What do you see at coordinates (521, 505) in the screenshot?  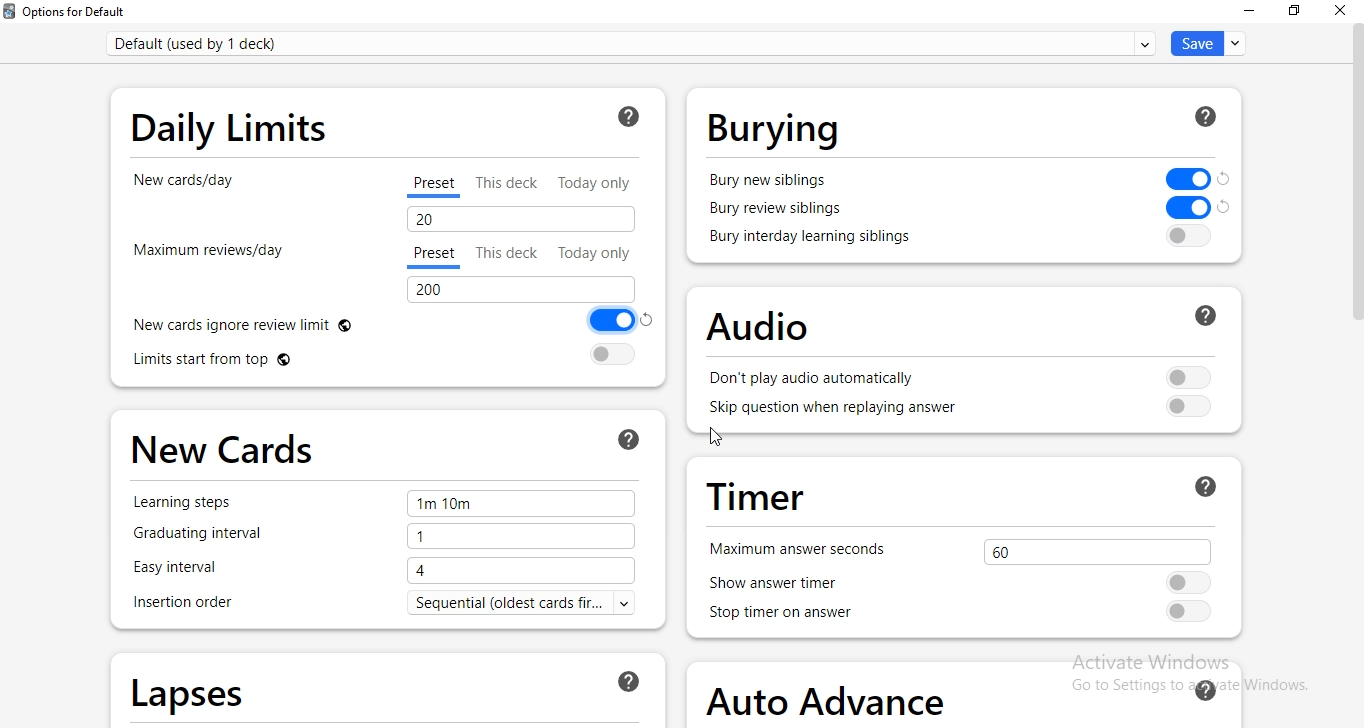 I see `1m 10m` at bounding box center [521, 505].